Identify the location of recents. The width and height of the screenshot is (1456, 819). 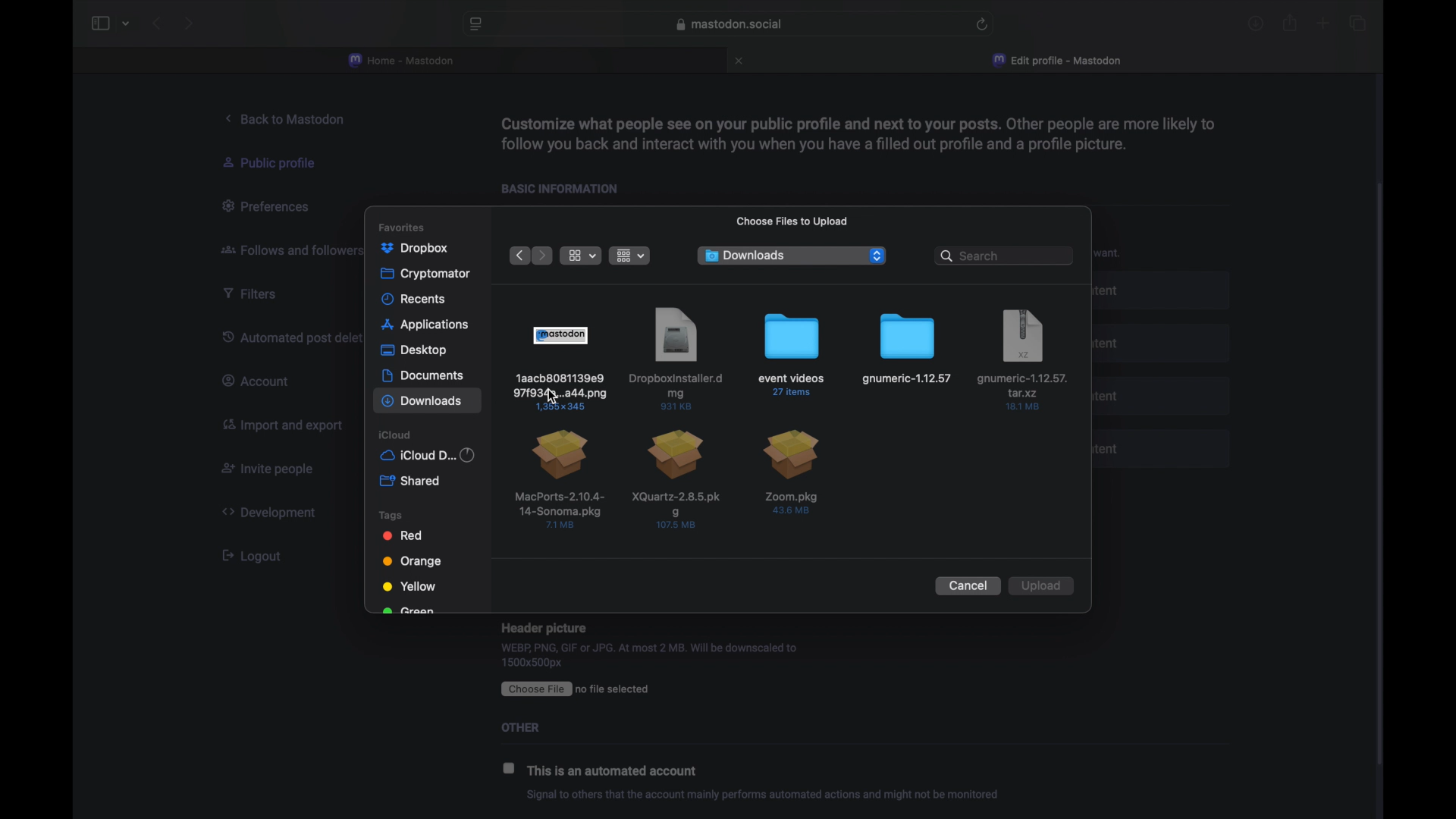
(414, 299).